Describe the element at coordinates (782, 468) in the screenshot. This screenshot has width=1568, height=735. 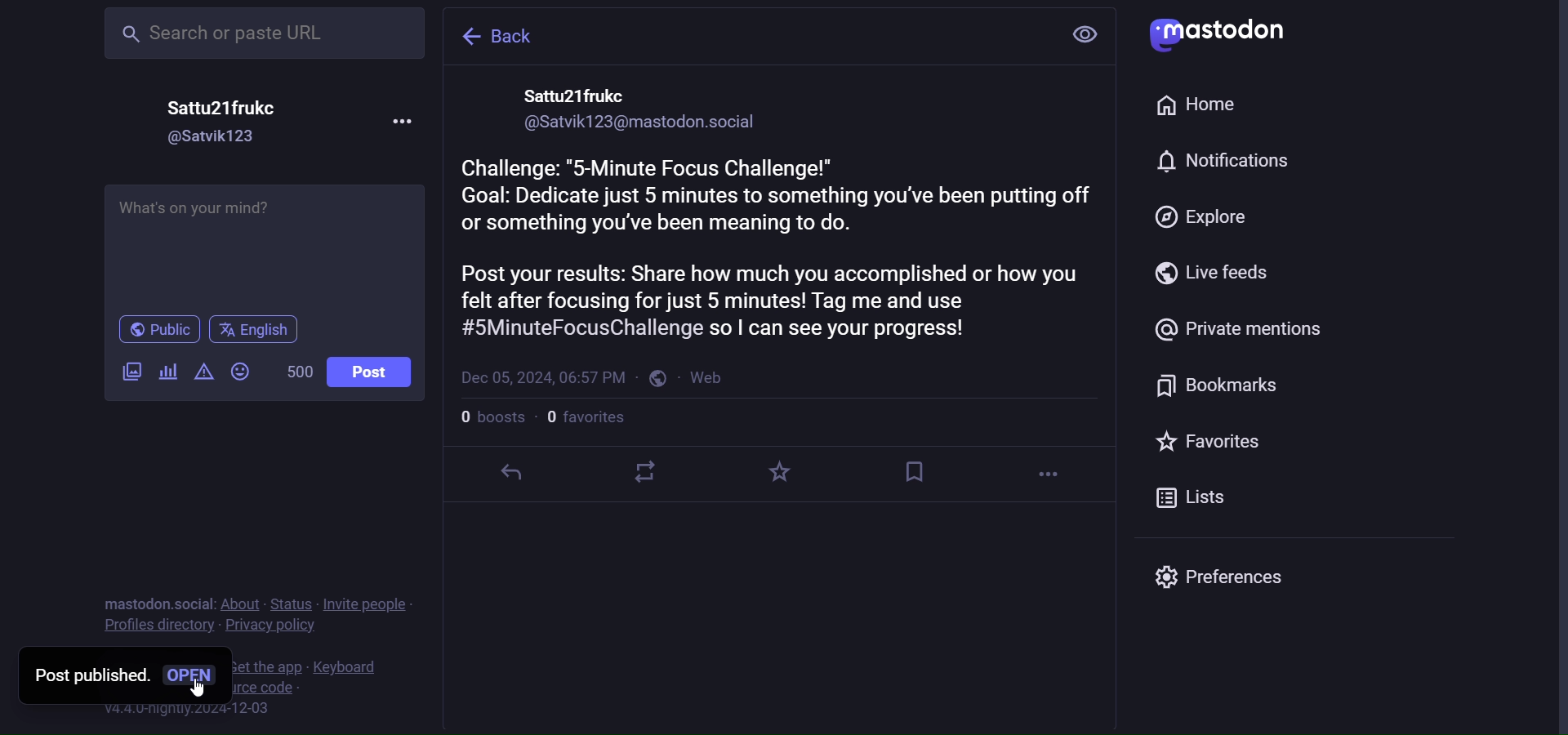
I see `favorites` at that location.